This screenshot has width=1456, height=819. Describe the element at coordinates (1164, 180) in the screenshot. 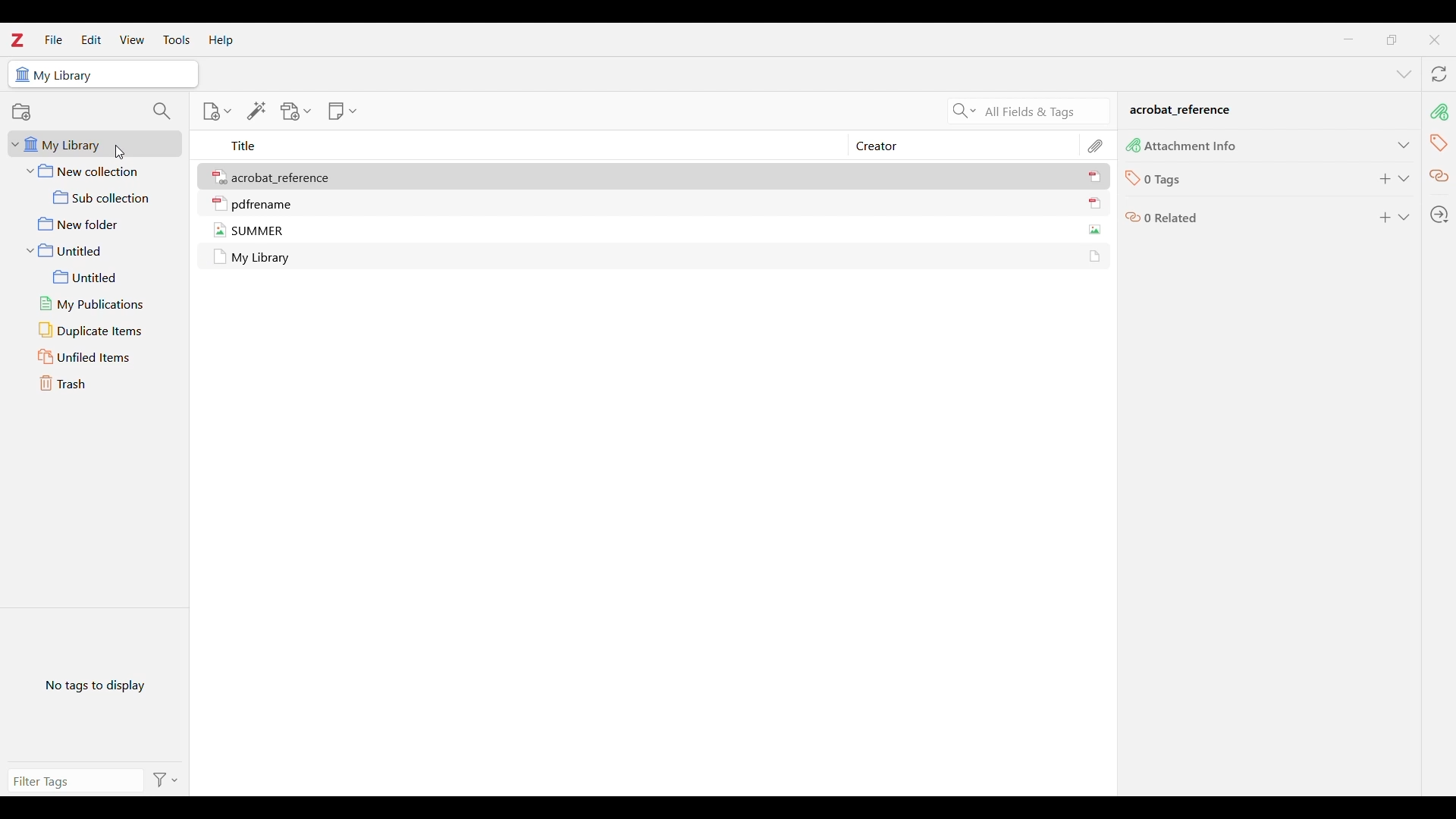

I see `0 Tags` at that location.